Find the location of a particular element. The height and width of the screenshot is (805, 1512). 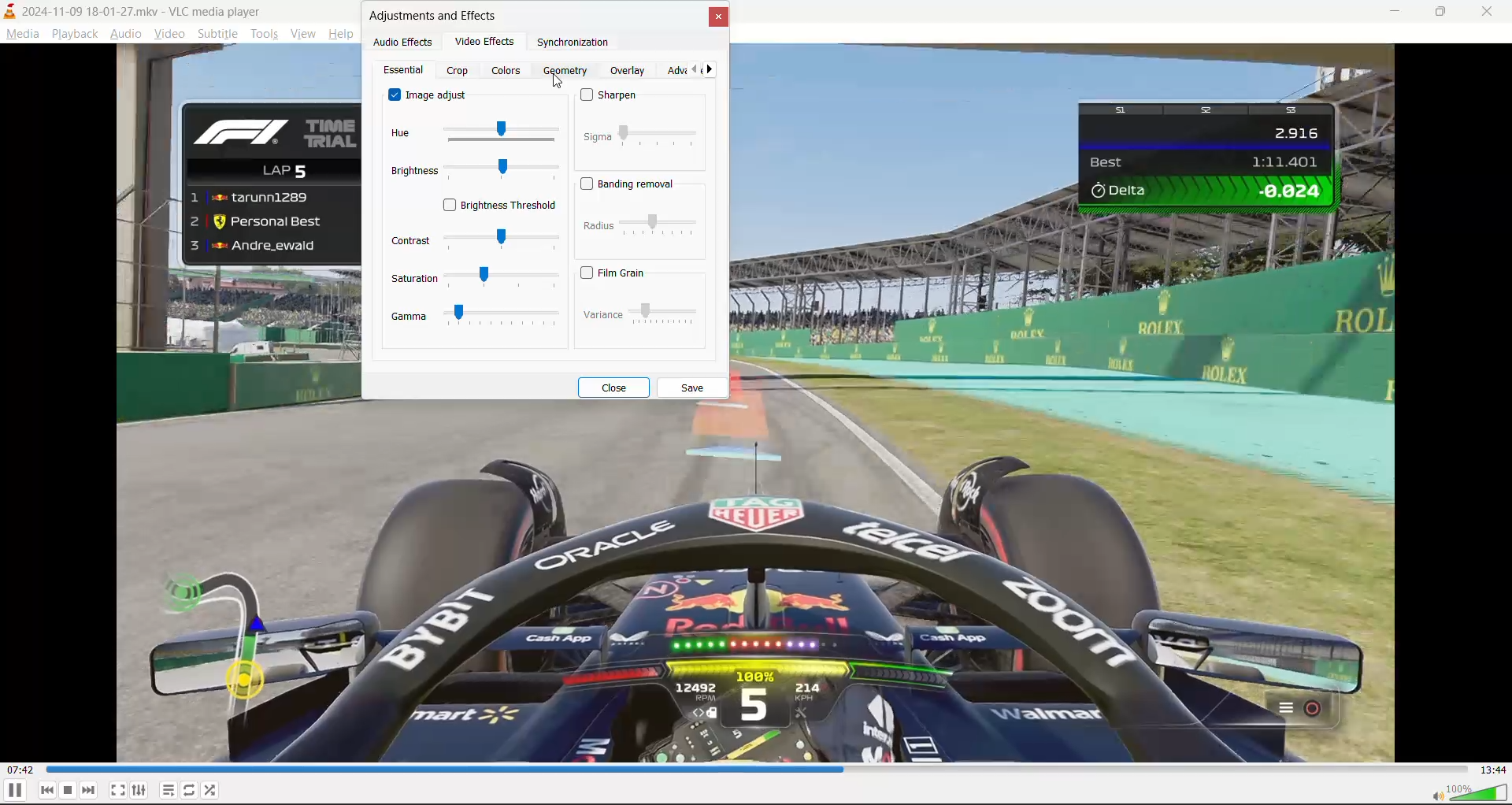

cursor is located at coordinates (561, 82).